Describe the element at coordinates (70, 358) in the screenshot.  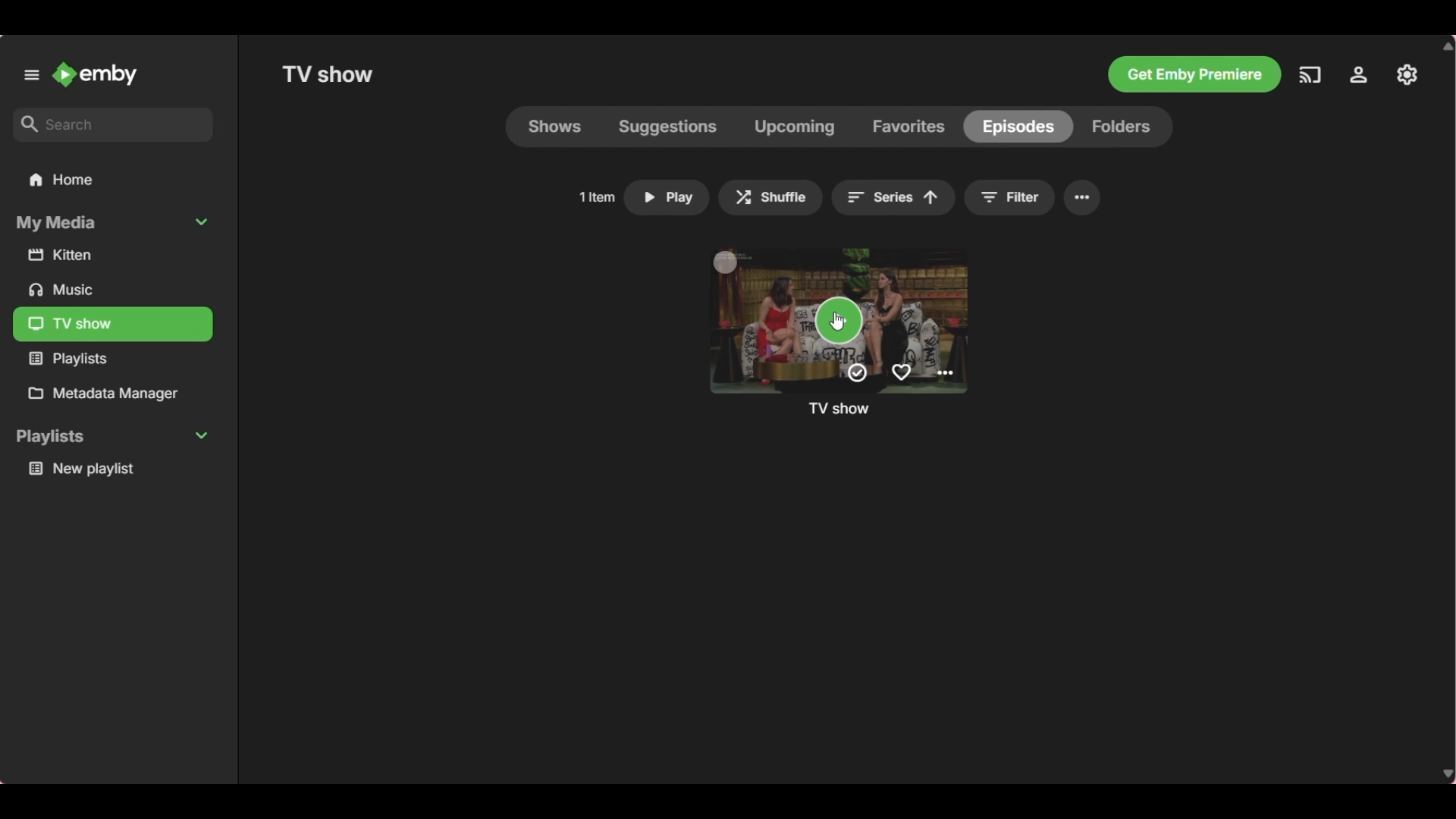
I see `Media files under My Media` at that location.